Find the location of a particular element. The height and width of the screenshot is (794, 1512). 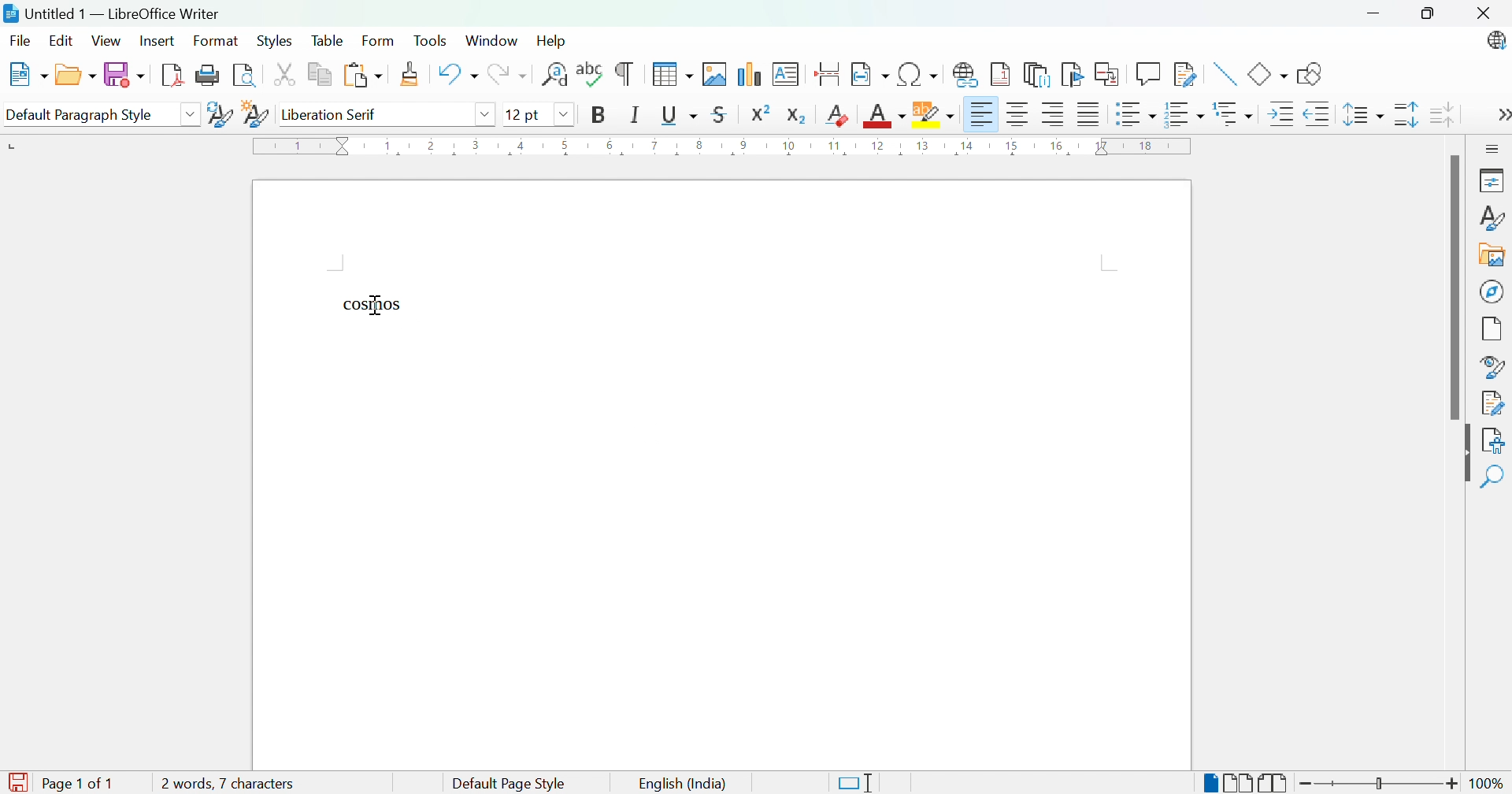

Toggle ordered list is located at coordinates (1185, 115).